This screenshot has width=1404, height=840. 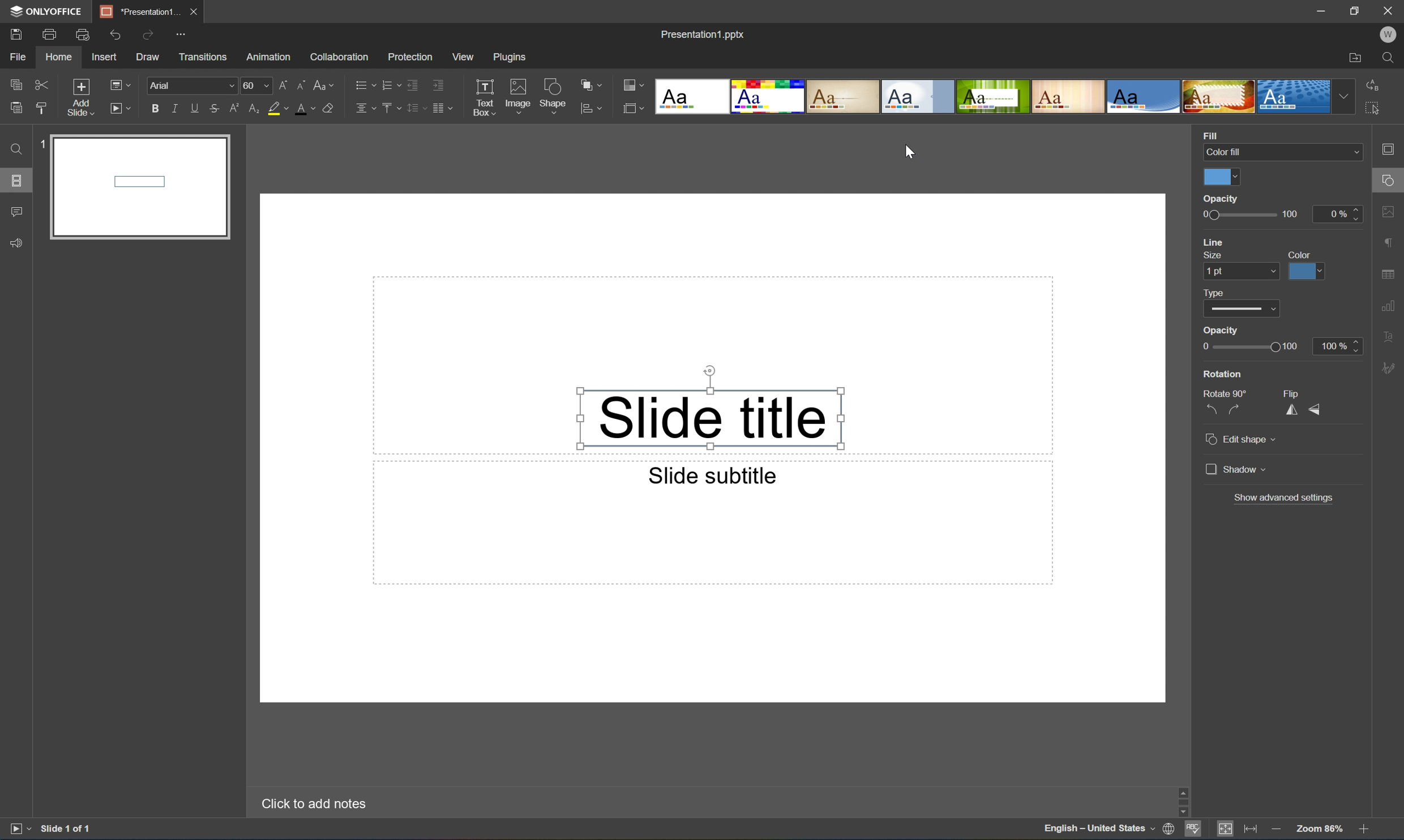 What do you see at coordinates (1279, 151) in the screenshot?
I see `Color fill` at bounding box center [1279, 151].